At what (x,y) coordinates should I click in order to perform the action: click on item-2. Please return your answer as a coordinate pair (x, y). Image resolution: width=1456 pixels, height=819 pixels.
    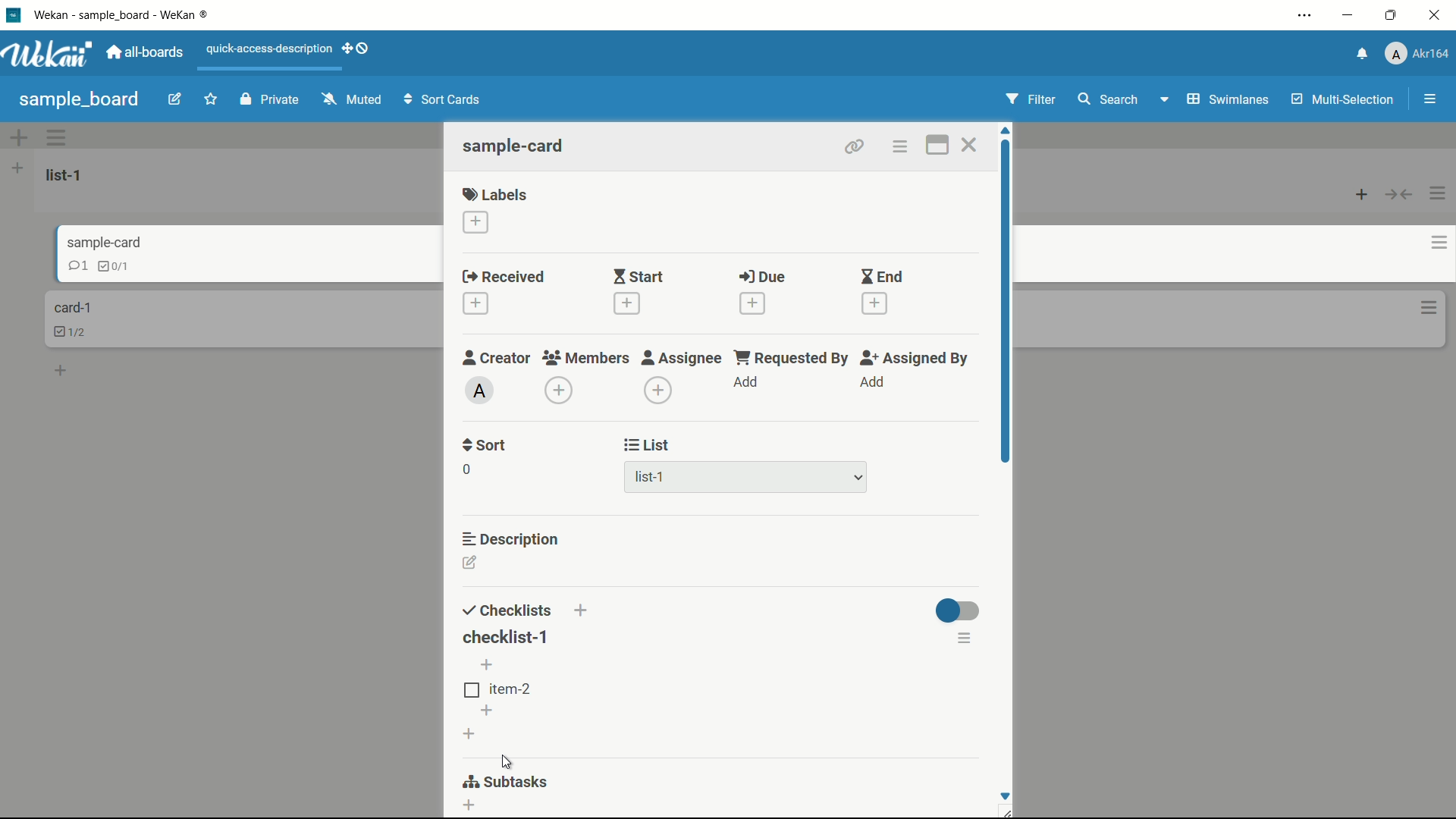
    Looking at the image, I should click on (499, 689).